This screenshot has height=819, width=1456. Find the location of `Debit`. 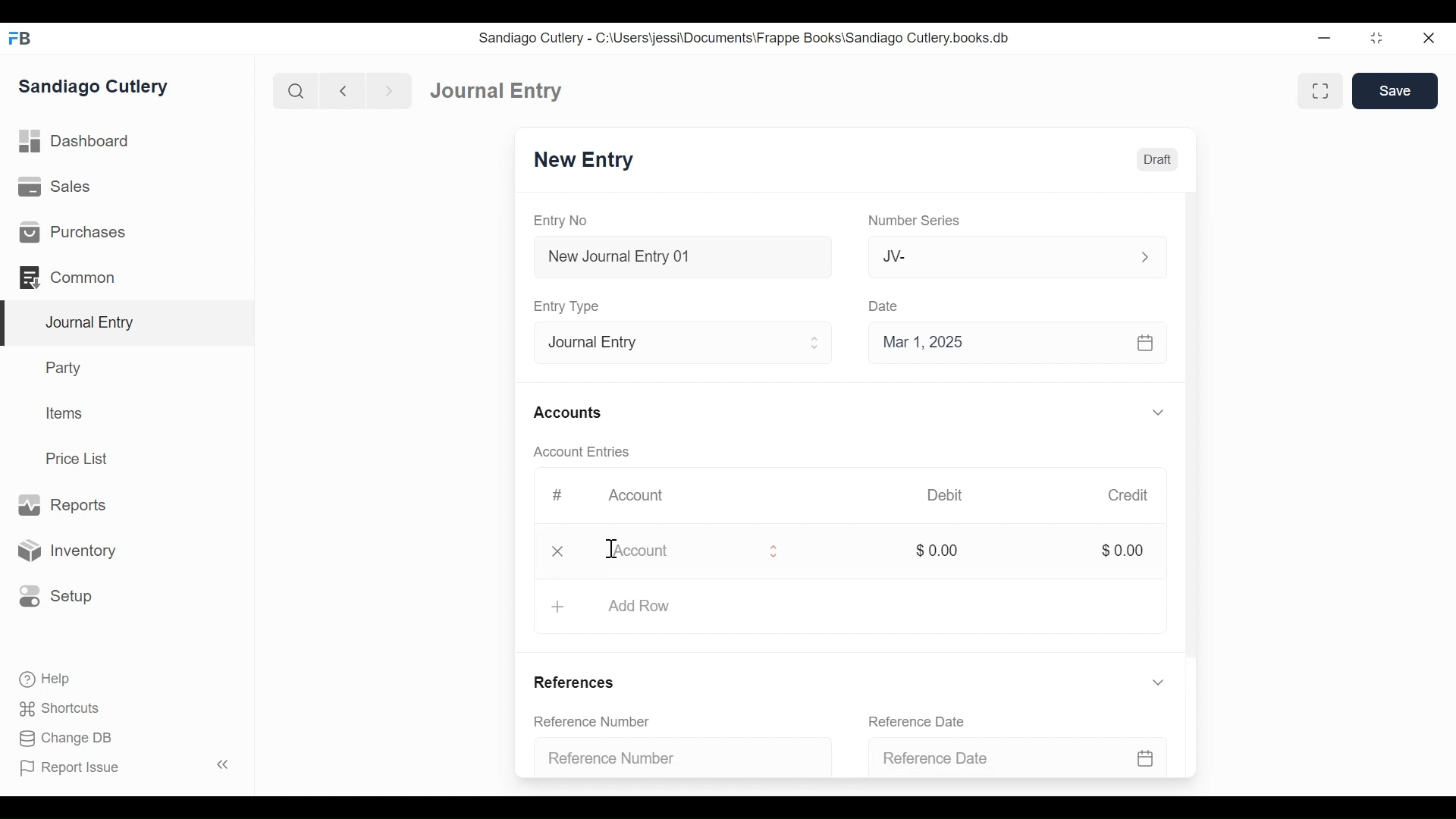

Debit is located at coordinates (948, 495).